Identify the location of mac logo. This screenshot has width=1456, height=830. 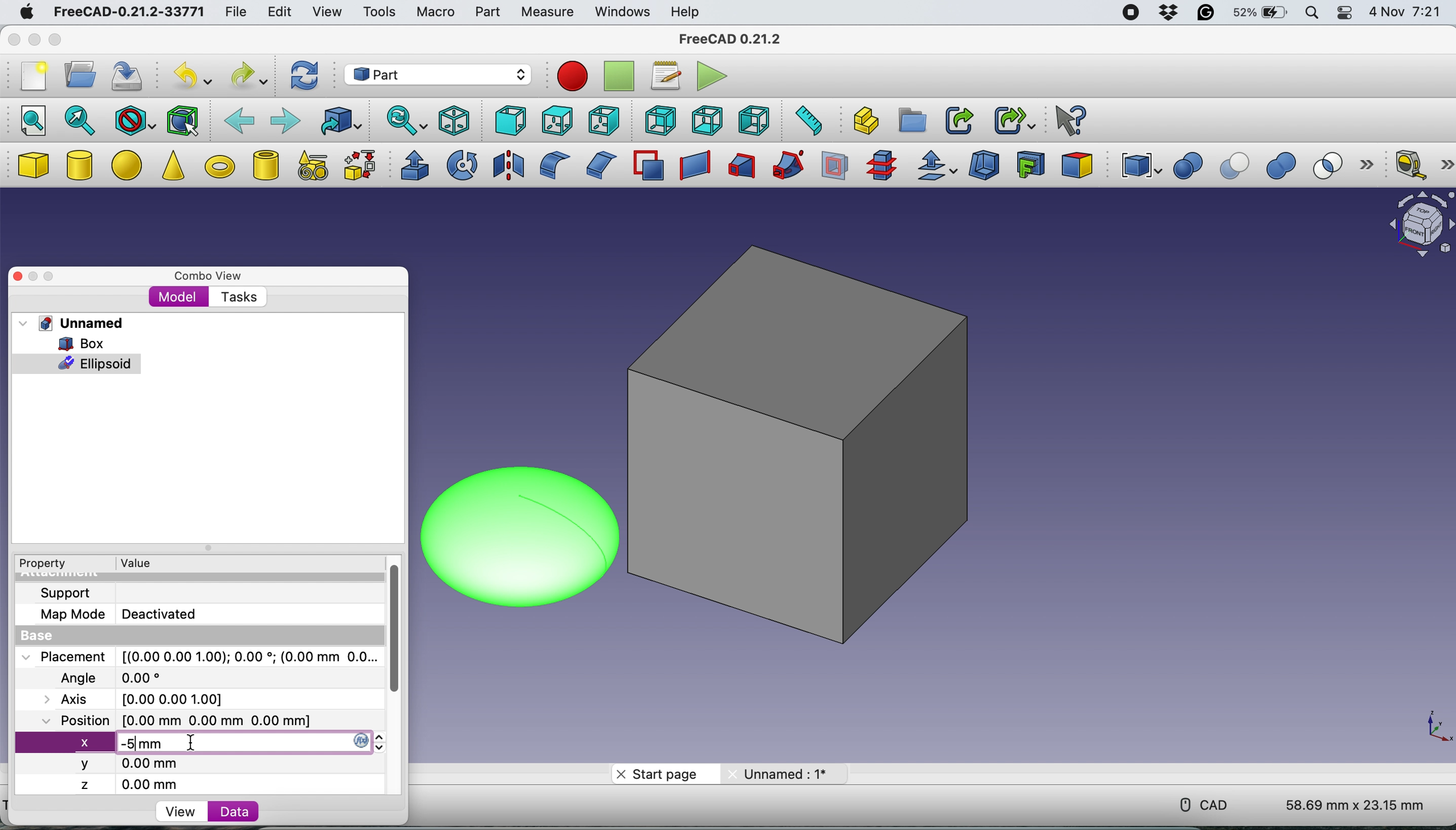
(24, 13).